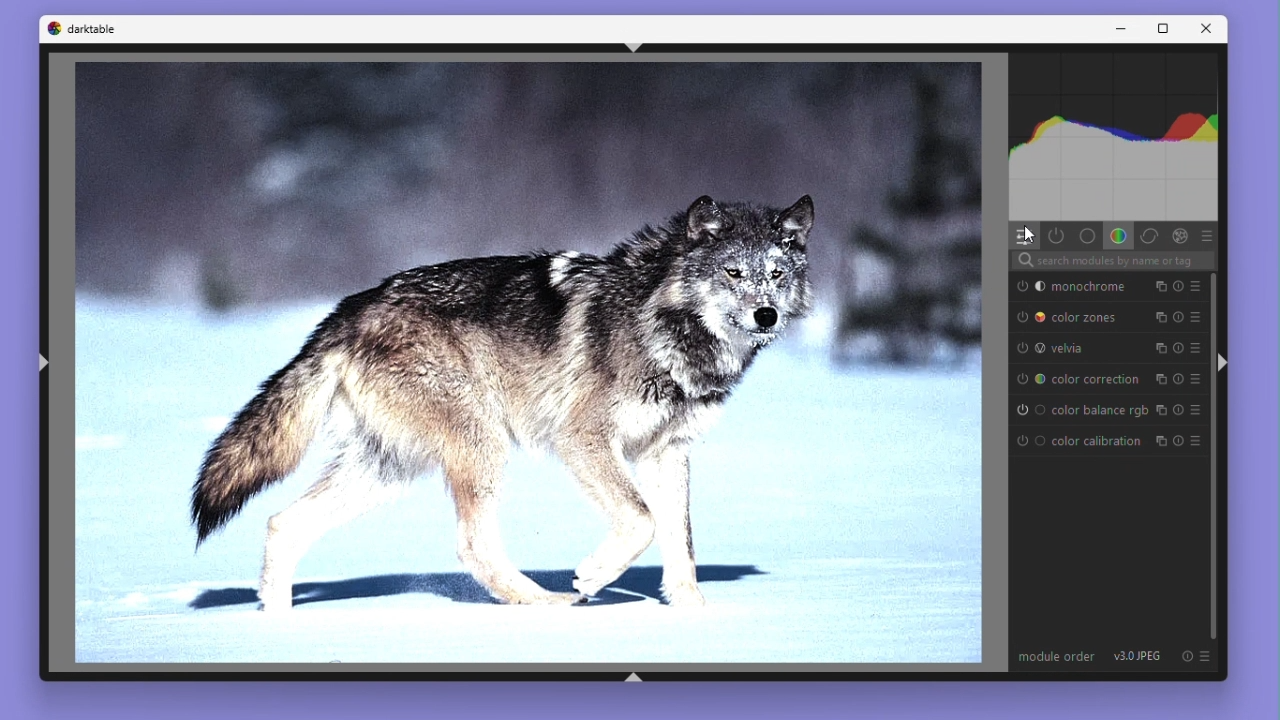 The width and height of the screenshot is (1280, 720). What do you see at coordinates (1159, 29) in the screenshot?
I see `maximmize` at bounding box center [1159, 29].